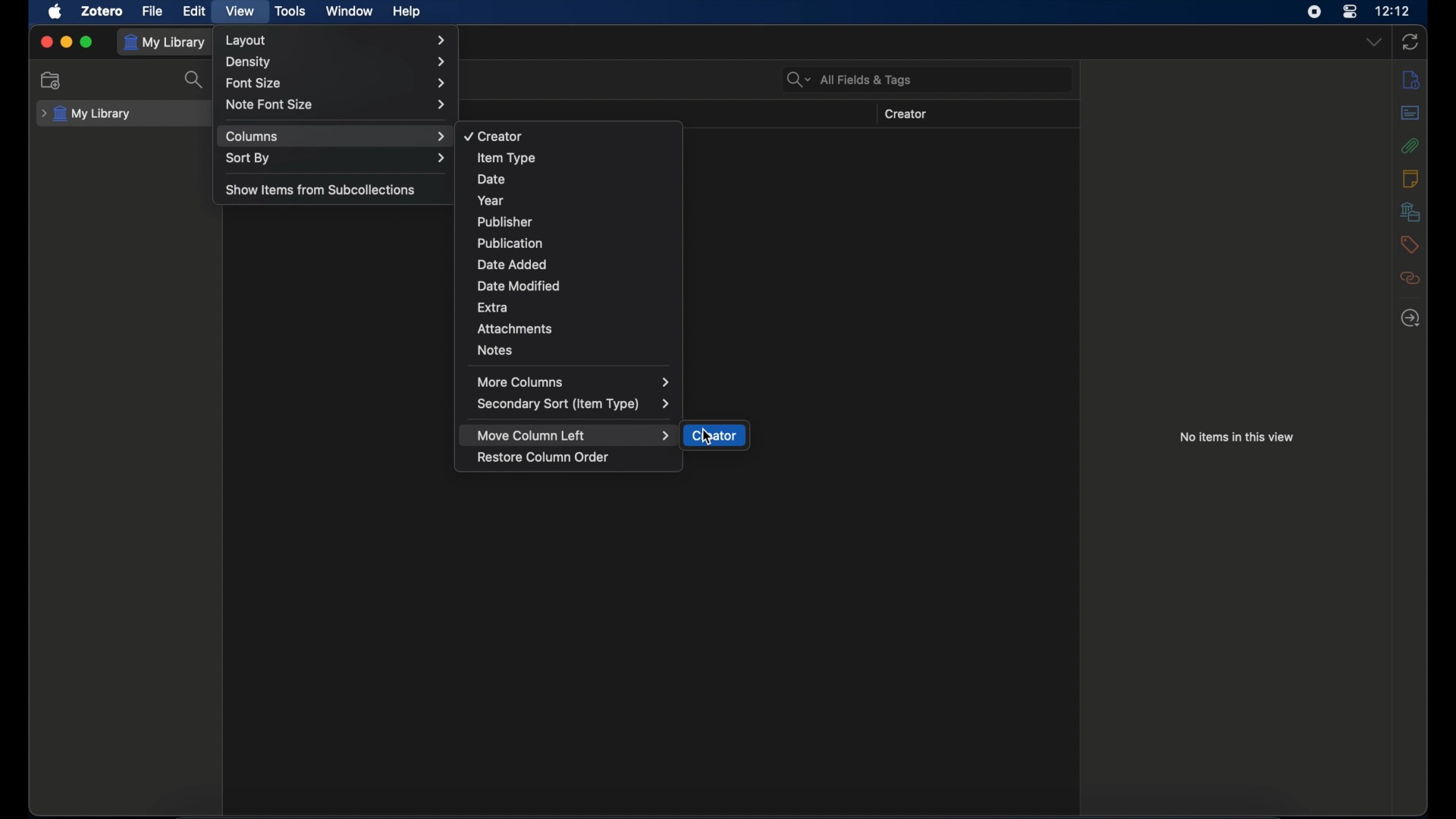 This screenshot has width=1456, height=819. What do you see at coordinates (1409, 245) in the screenshot?
I see `tags` at bounding box center [1409, 245].